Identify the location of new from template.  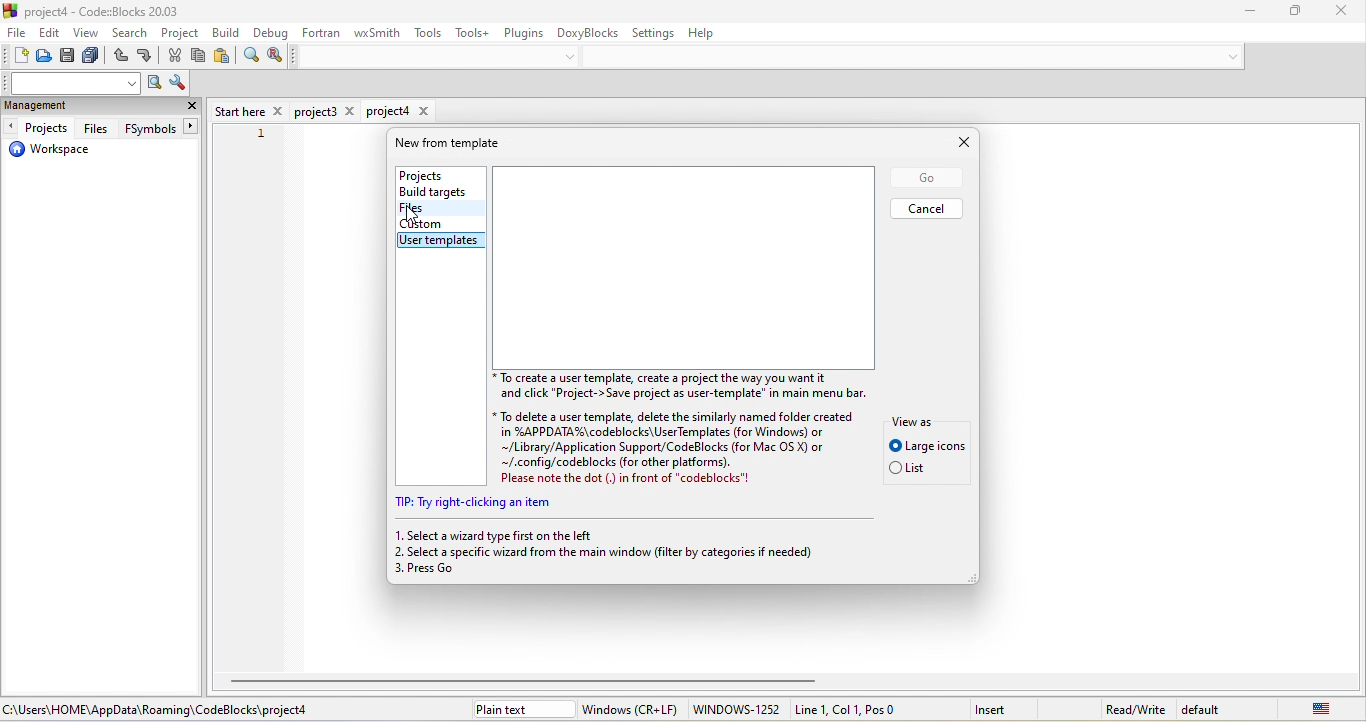
(458, 143).